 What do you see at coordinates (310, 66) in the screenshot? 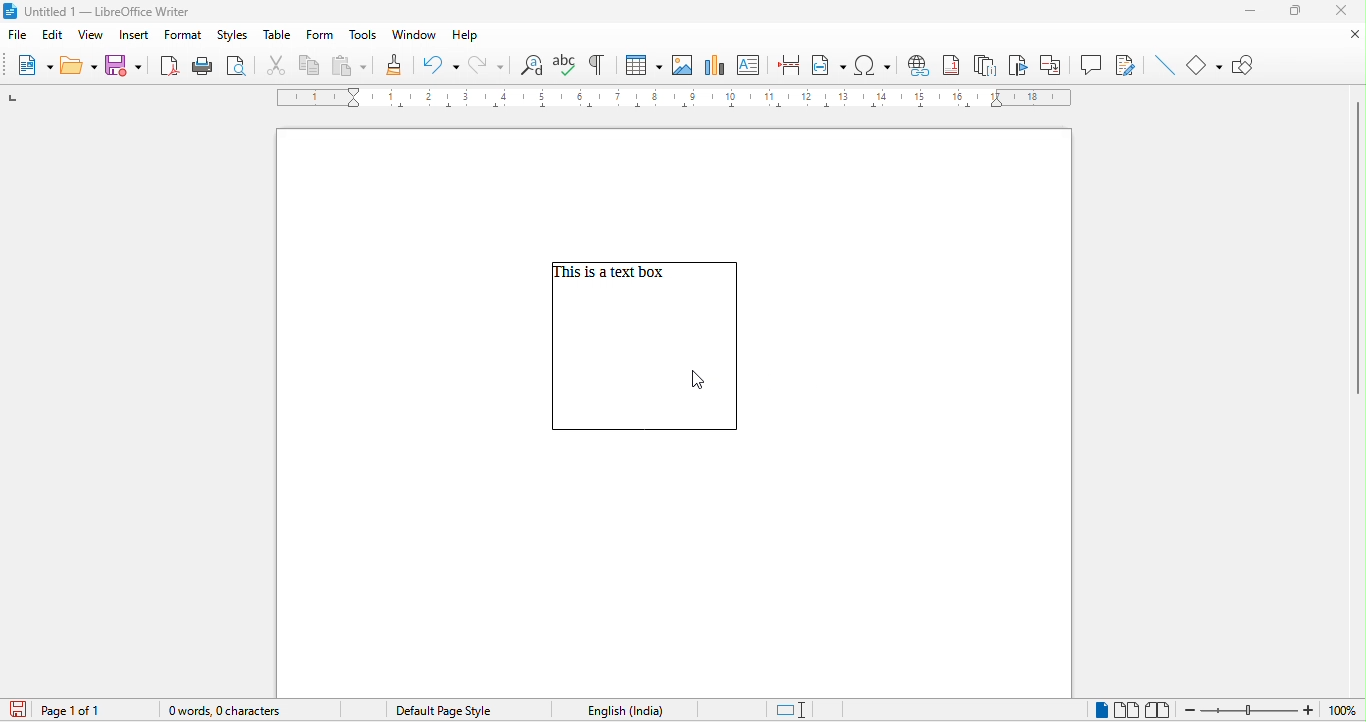
I see `copy` at bounding box center [310, 66].